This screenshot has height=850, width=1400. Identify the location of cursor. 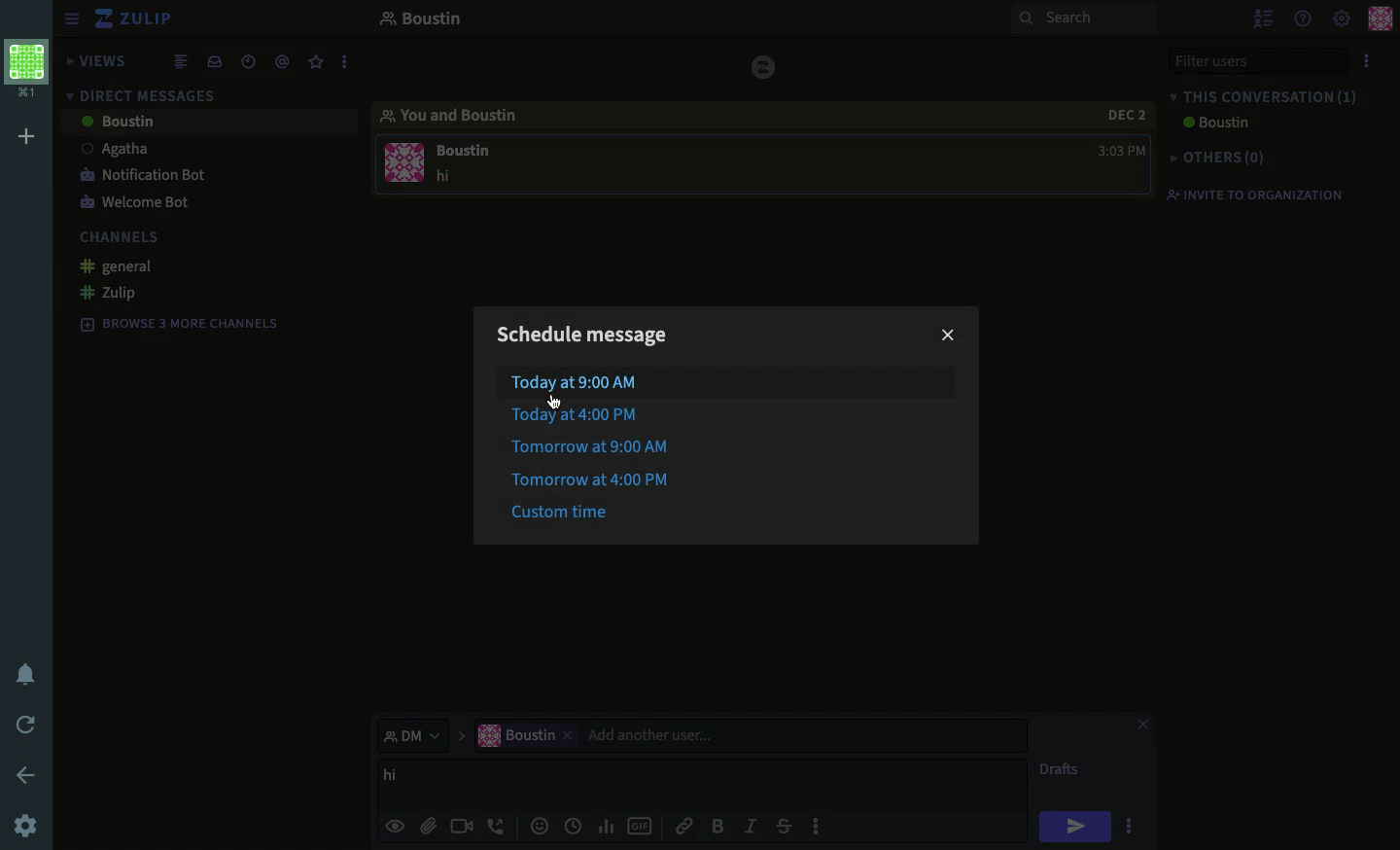
(1074, 797).